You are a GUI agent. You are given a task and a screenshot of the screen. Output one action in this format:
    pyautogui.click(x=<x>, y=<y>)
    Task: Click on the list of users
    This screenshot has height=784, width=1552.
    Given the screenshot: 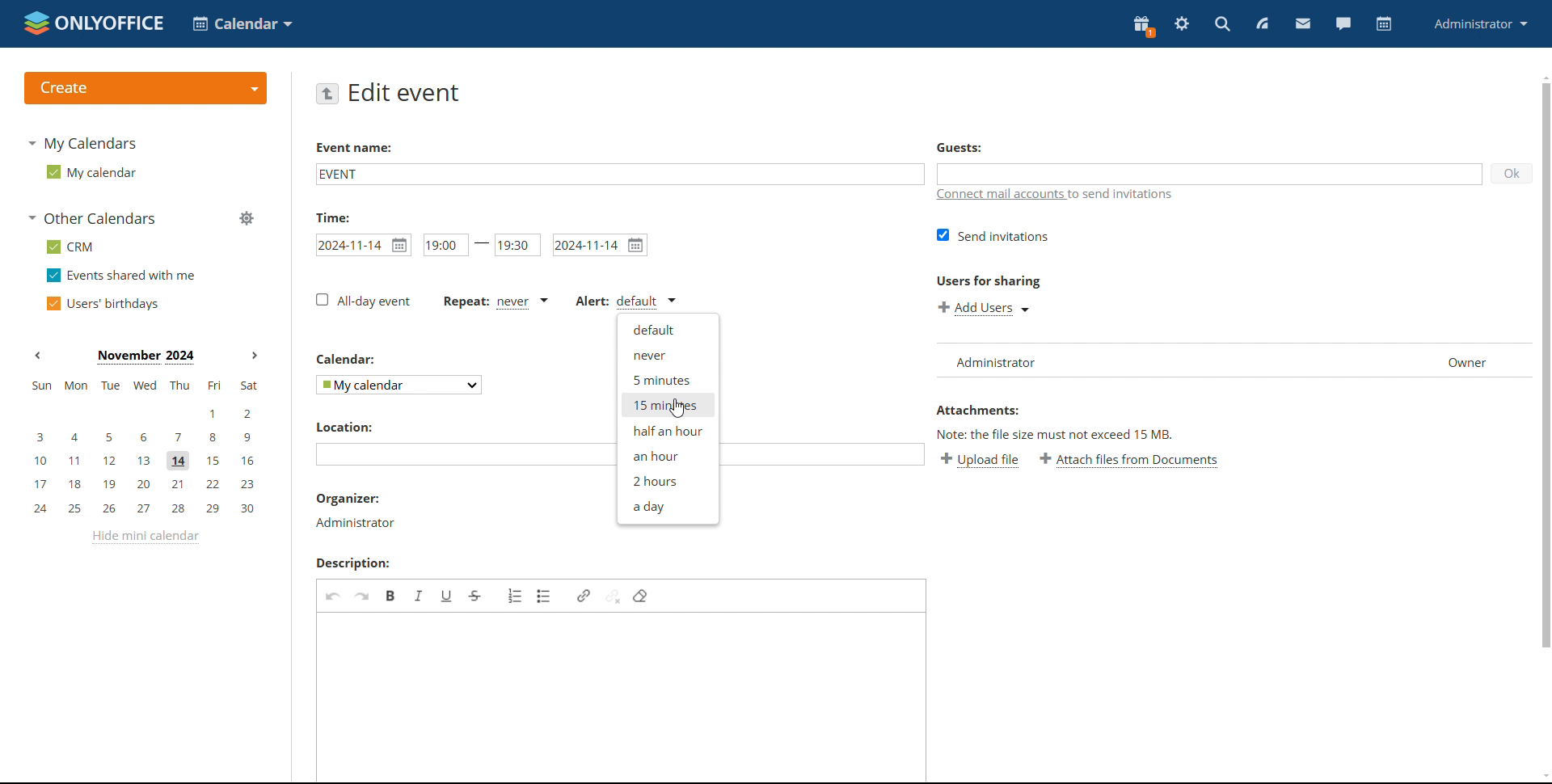 What is the action you would take?
    pyautogui.click(x=1226, y=360)
    